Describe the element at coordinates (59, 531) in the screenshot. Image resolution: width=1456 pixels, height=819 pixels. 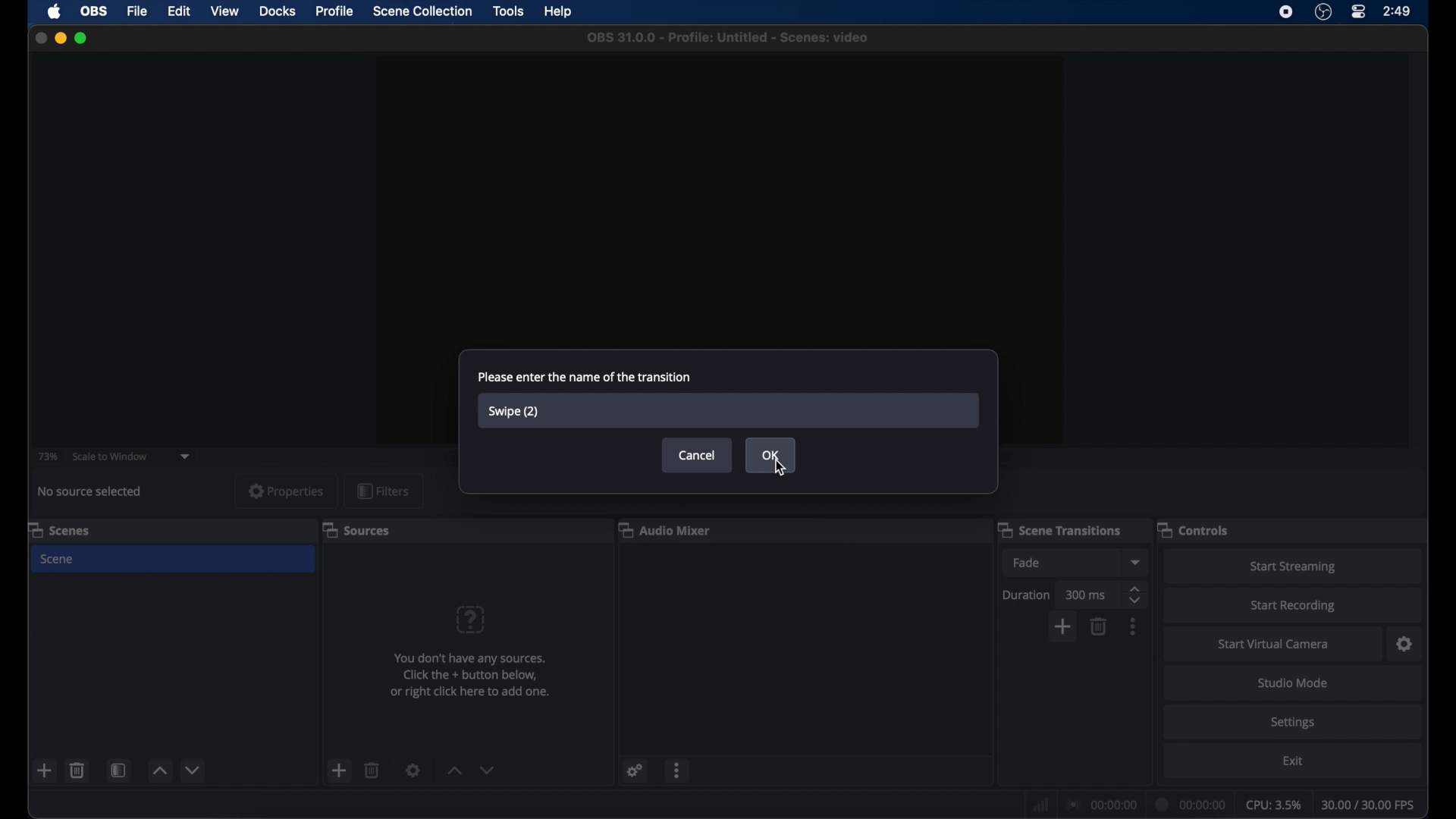
I see `scenes` at that location.